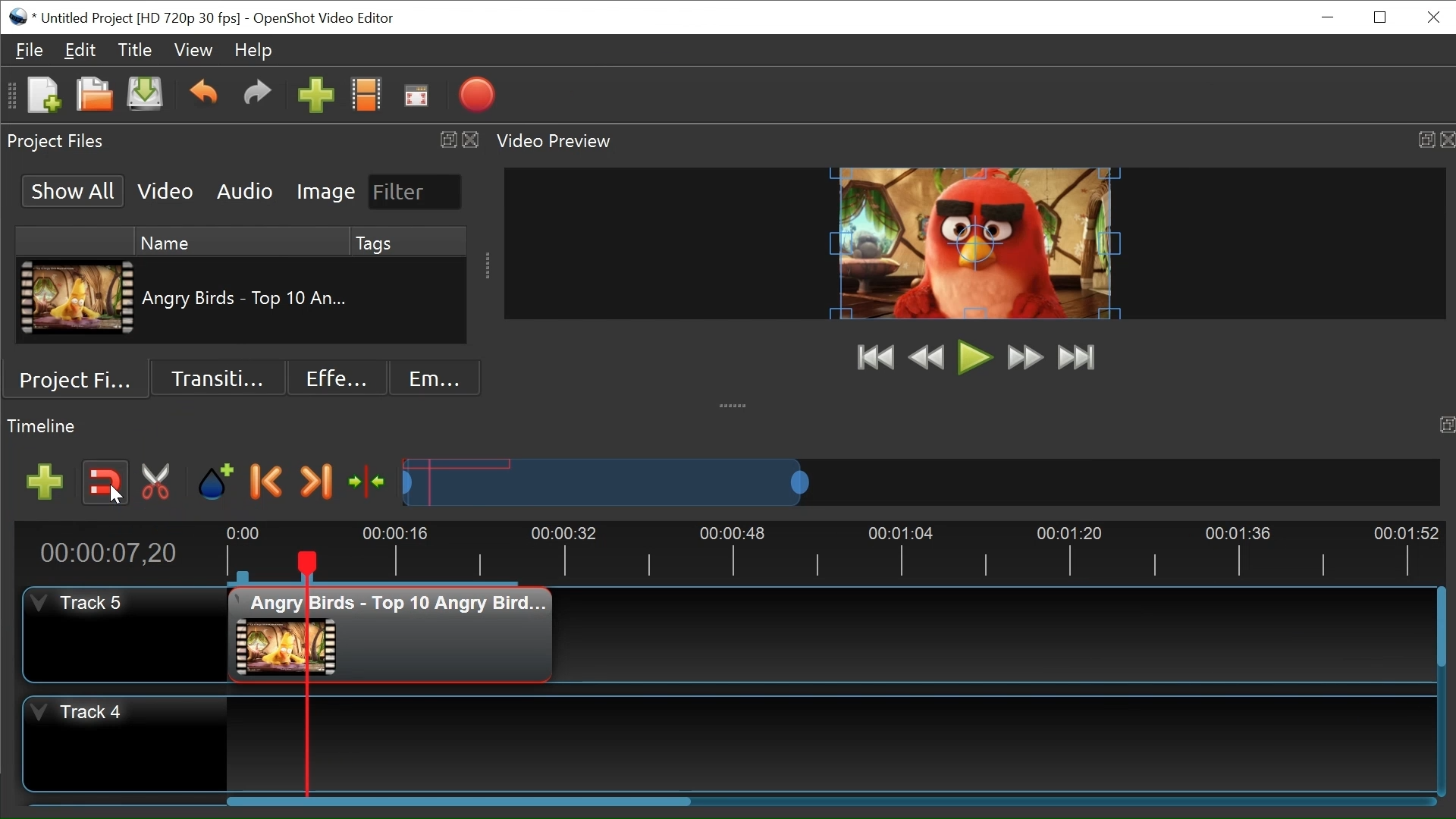  Describe the element at coordinates (926, 356) in the screenshot. I see `Preview` at that location.